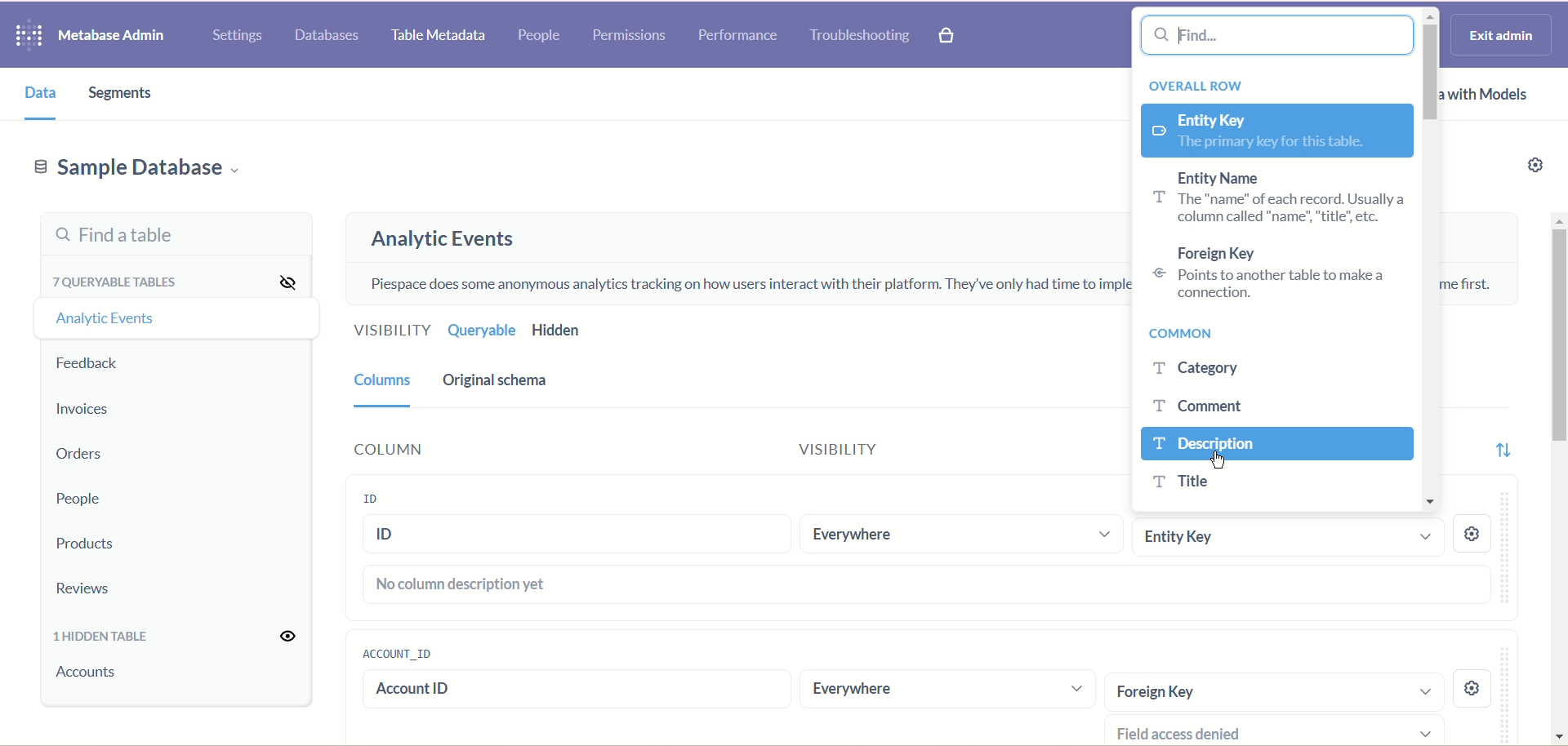 Image resolution: width=1568 pixels, height=746 pixels. What do you see at coordinates (35, 94) in the screenshot?
I see `data` at bounding box center [35, 94].